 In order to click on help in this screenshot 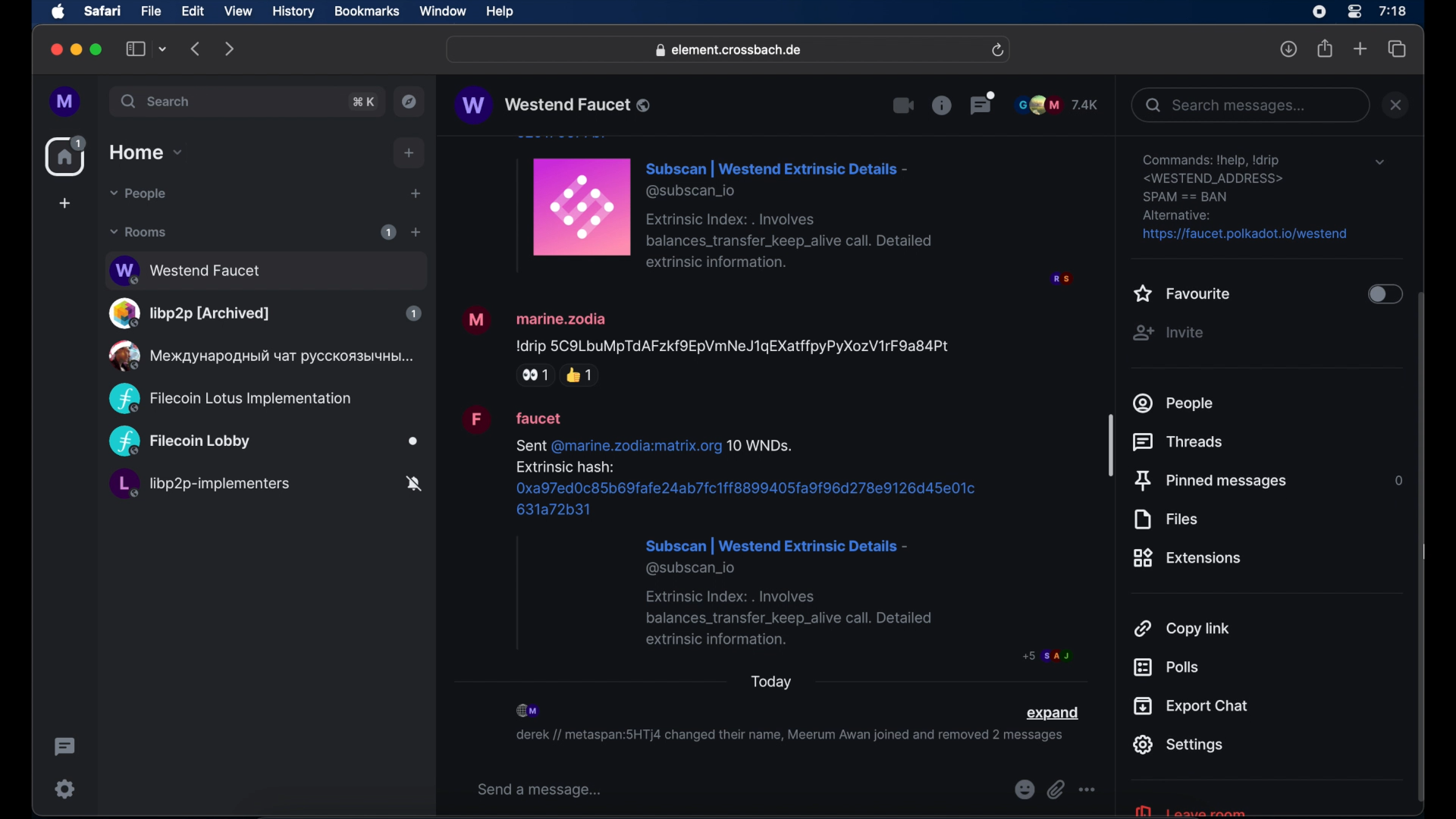, I will do `click(500, 12)`.